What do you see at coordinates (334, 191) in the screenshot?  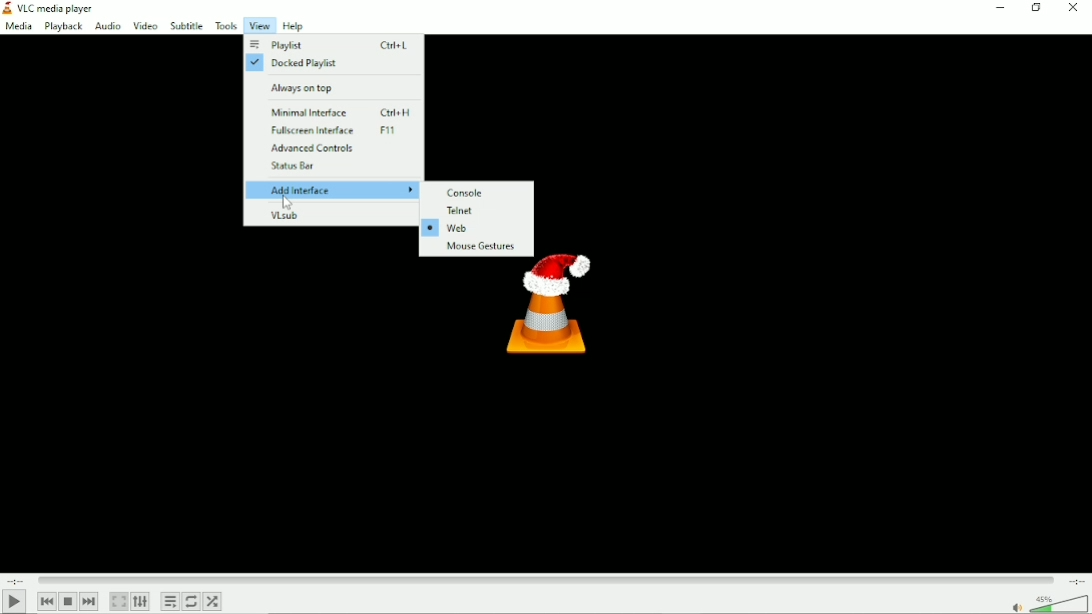 I see `Add interface` at bounding box center [334, 191].